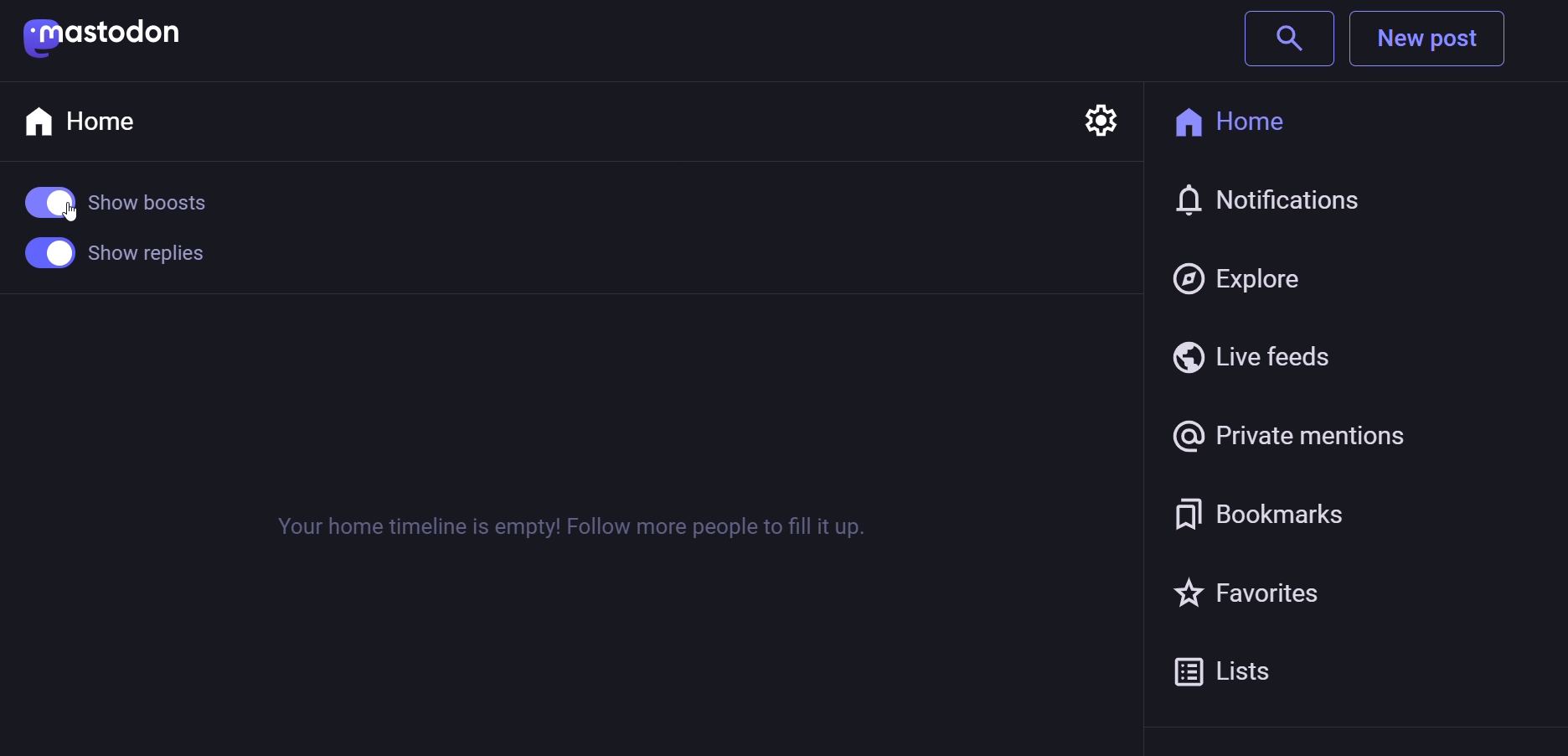 The width and height of the screenshot is (1568, 756). What do you see at coordinates (1251, 355) in the screenshot?
I see `Live feed` at bounding box center [1251, 355].